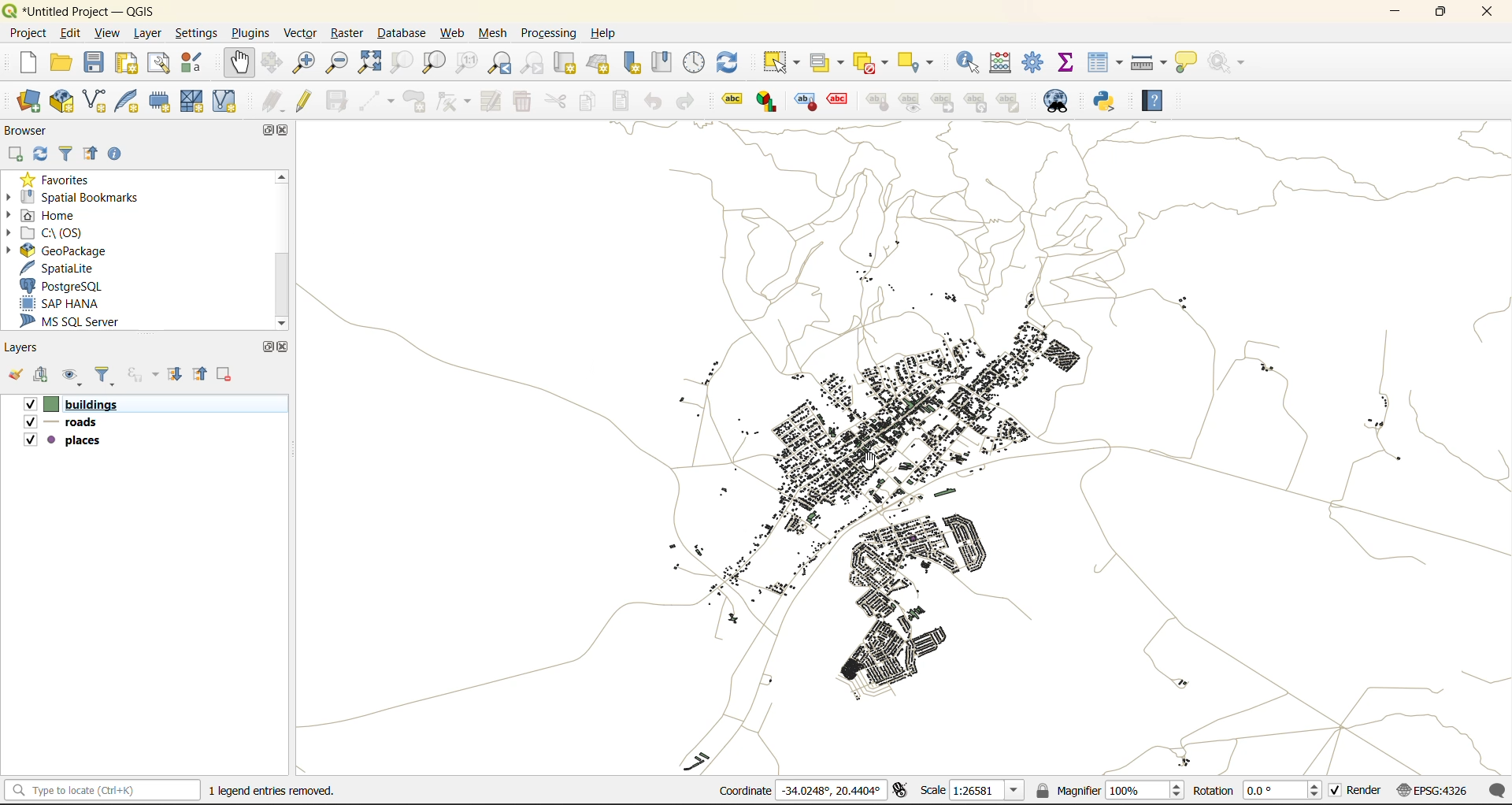  I want to click on coordinates, so click(799, 791).